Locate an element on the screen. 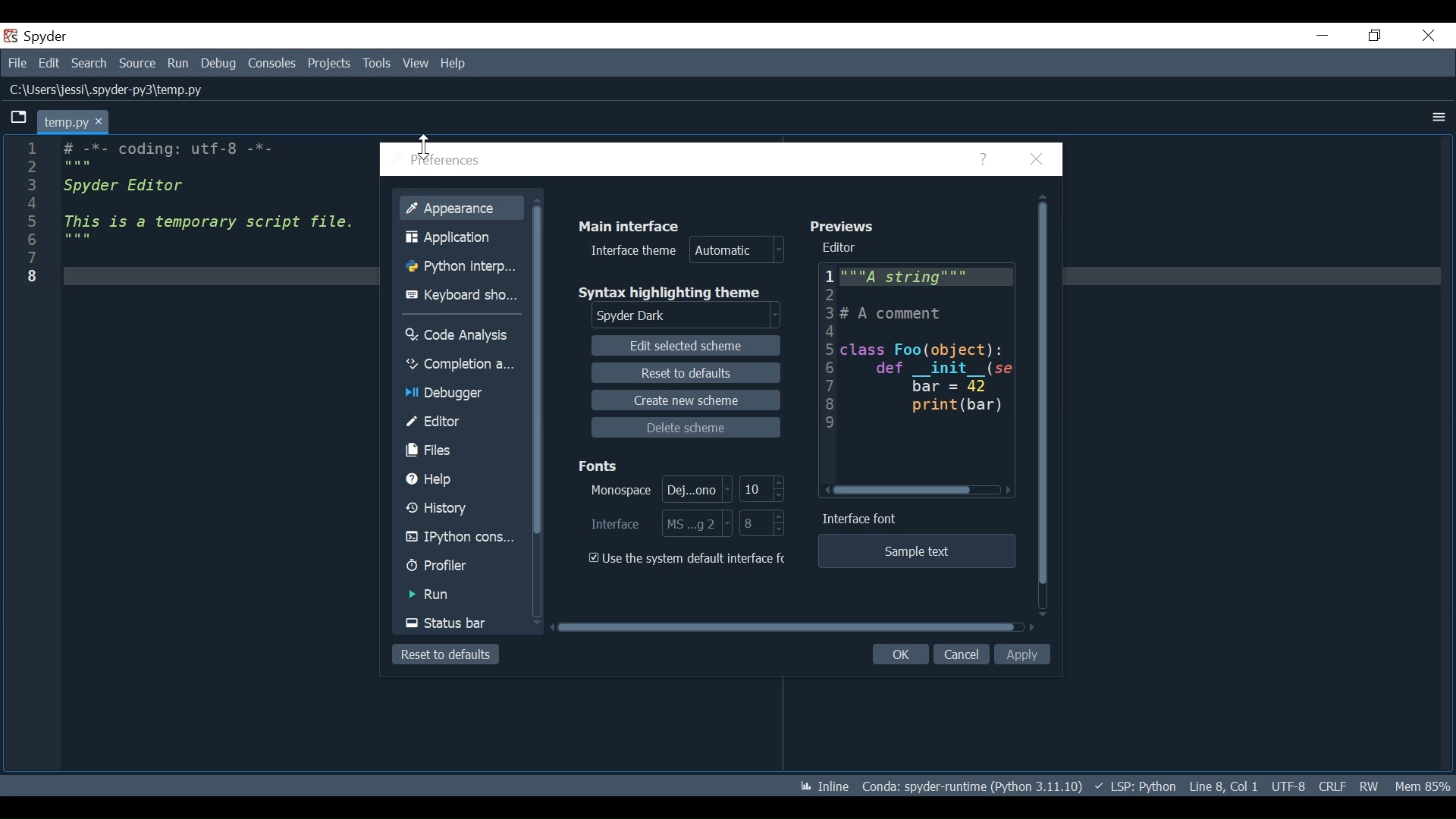 The image size is (1456, 819). Main Interface is located at coordinates (634, 224).